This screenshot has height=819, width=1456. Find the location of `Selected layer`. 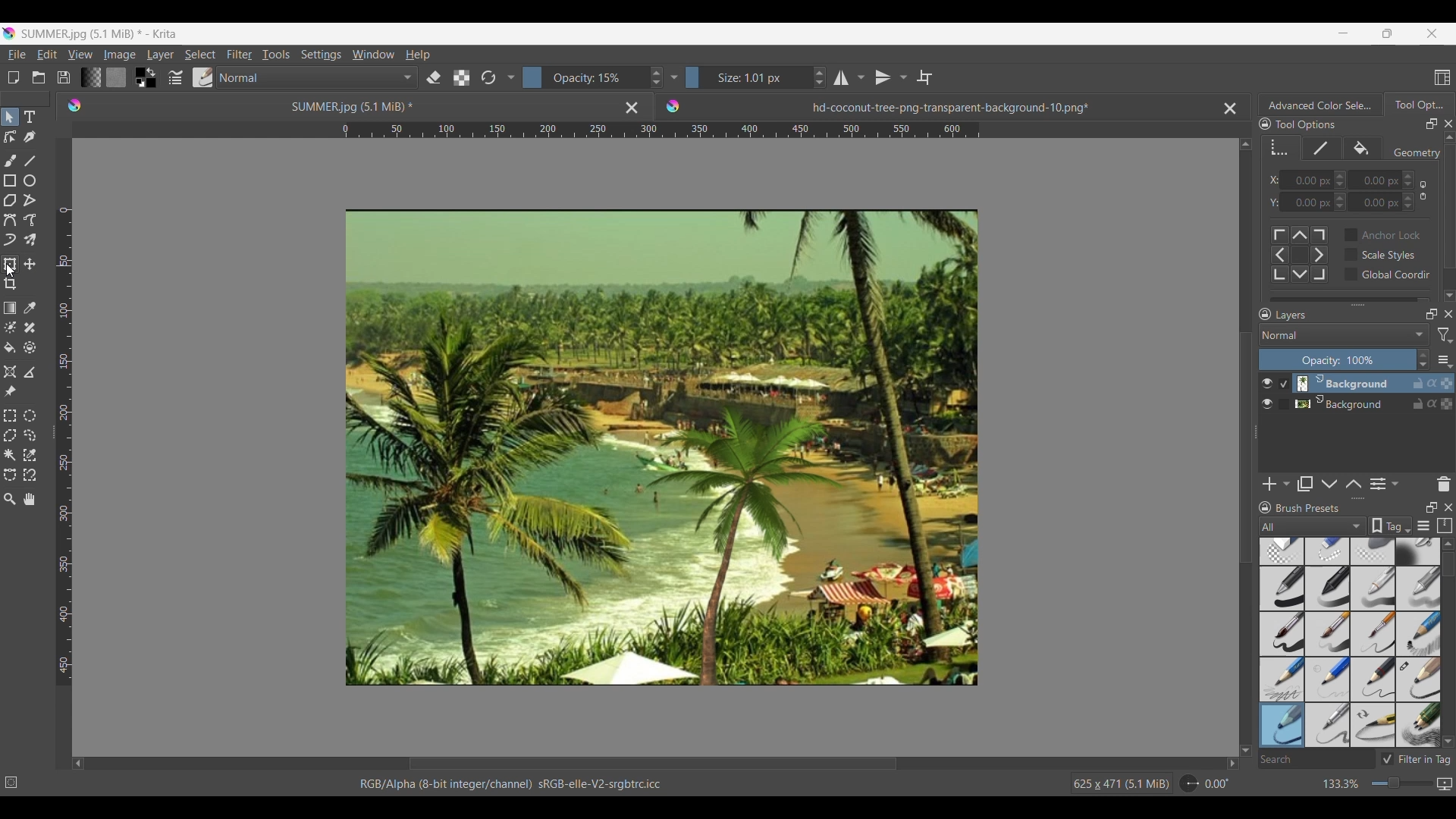

Selected layer is located at coordinates (1341, 383).